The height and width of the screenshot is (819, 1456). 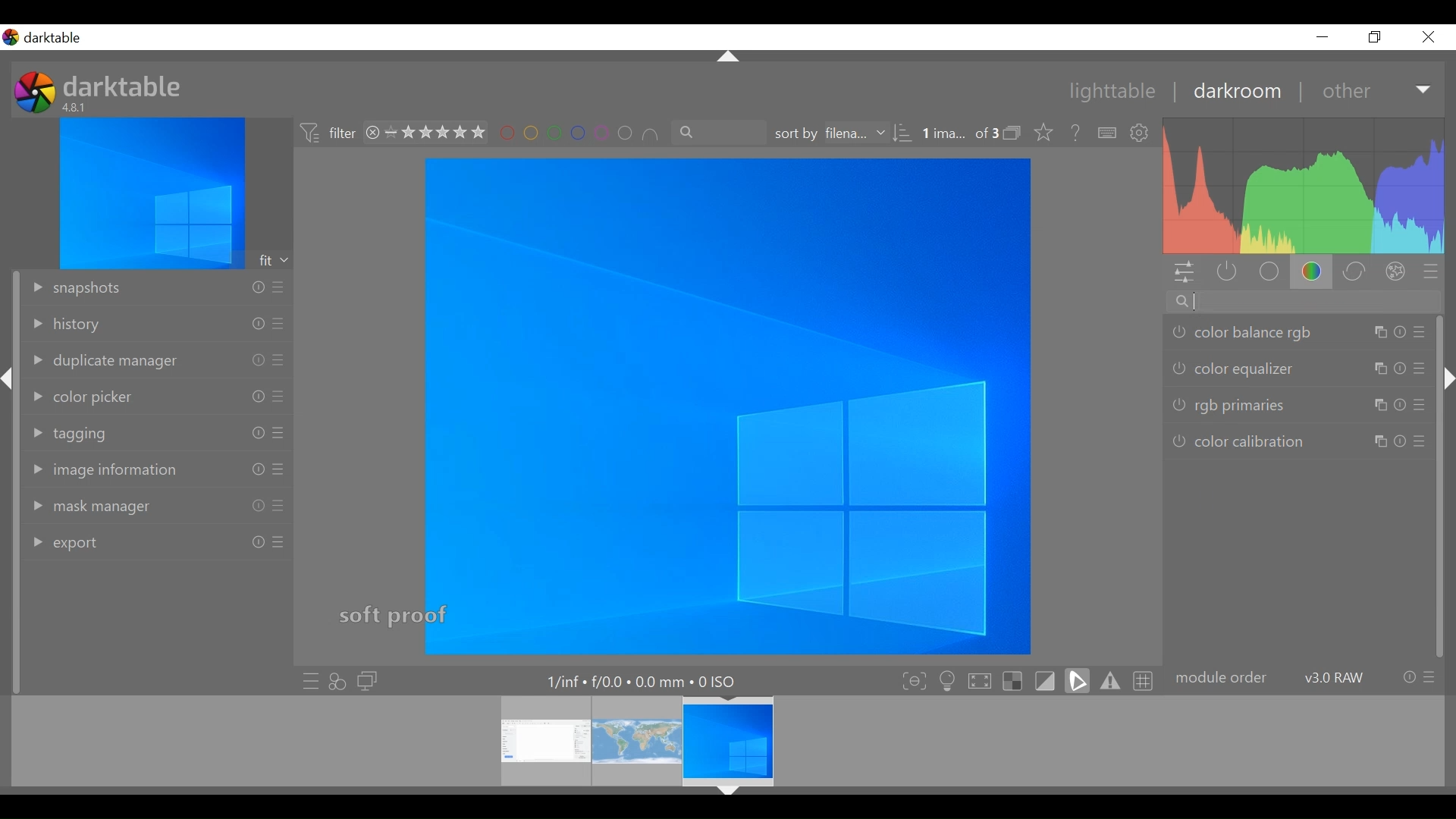 What do you see at coordinates (720, 133) in the screenshot?
I see `filter by text` at bounding box center [720, 133].